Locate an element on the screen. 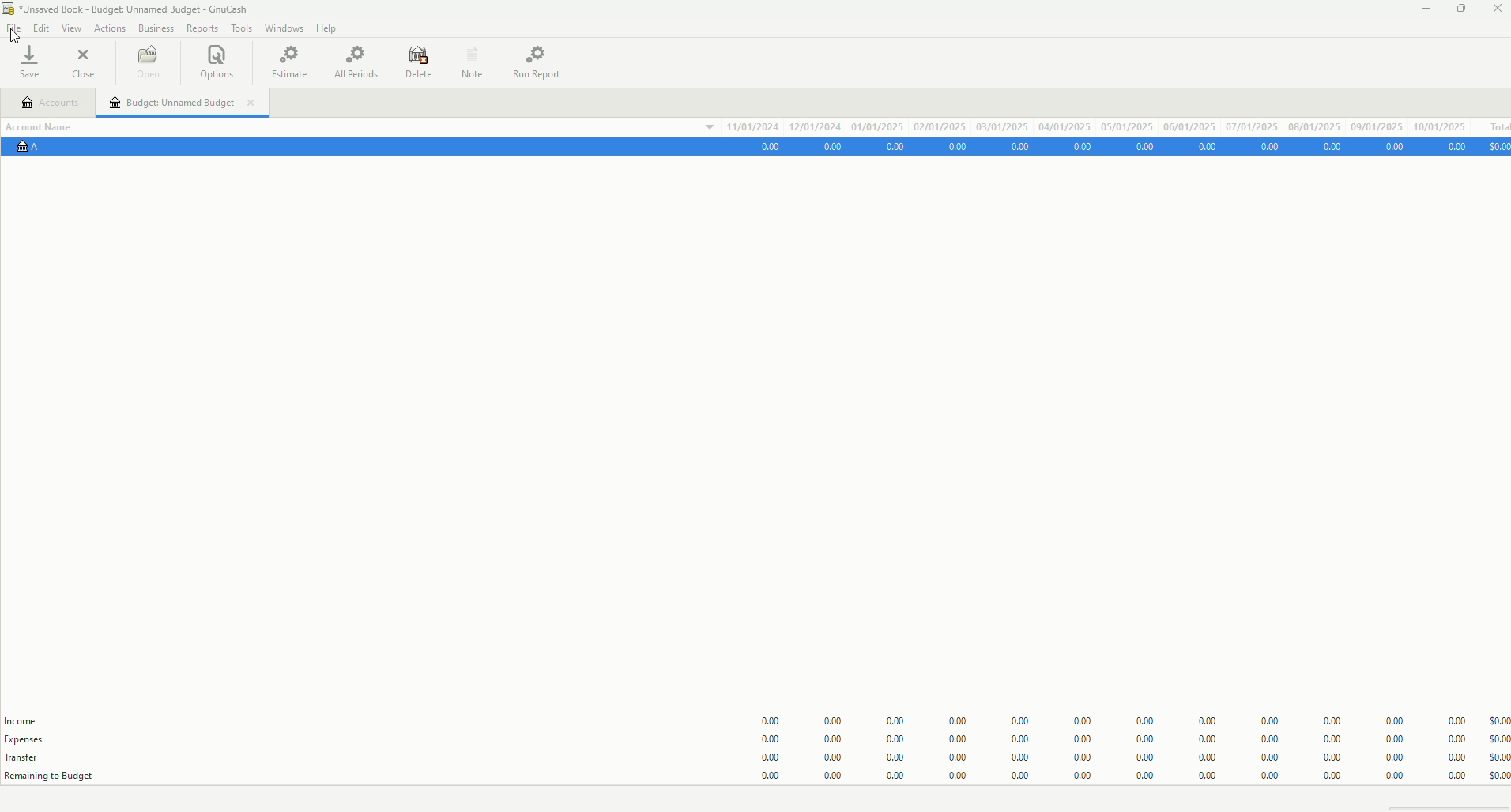  drop down menu is located at coordinates (699, 130).